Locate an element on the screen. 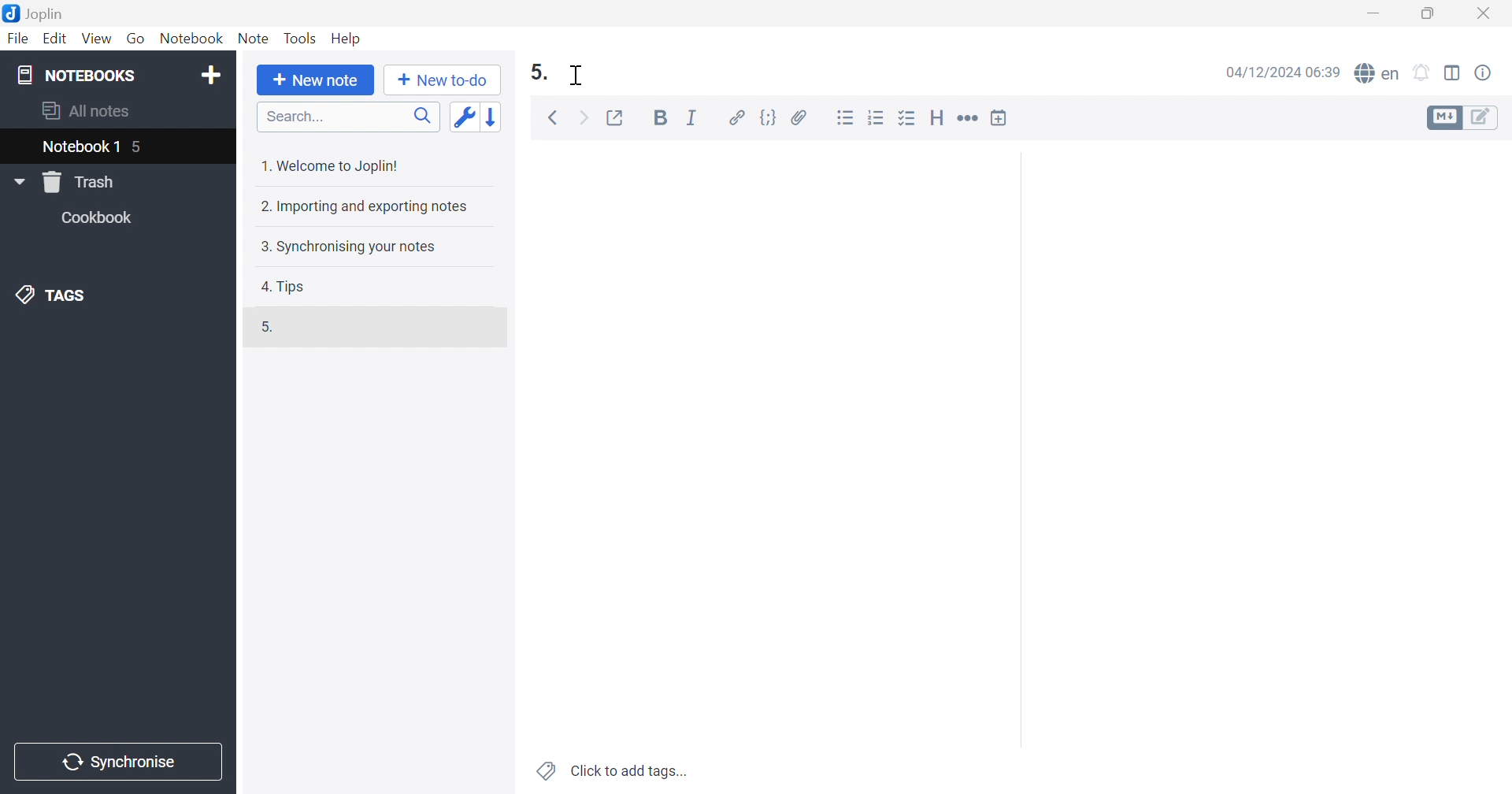 The image size is (1512, 794). Add notebook is located at coordinates (212, 74).